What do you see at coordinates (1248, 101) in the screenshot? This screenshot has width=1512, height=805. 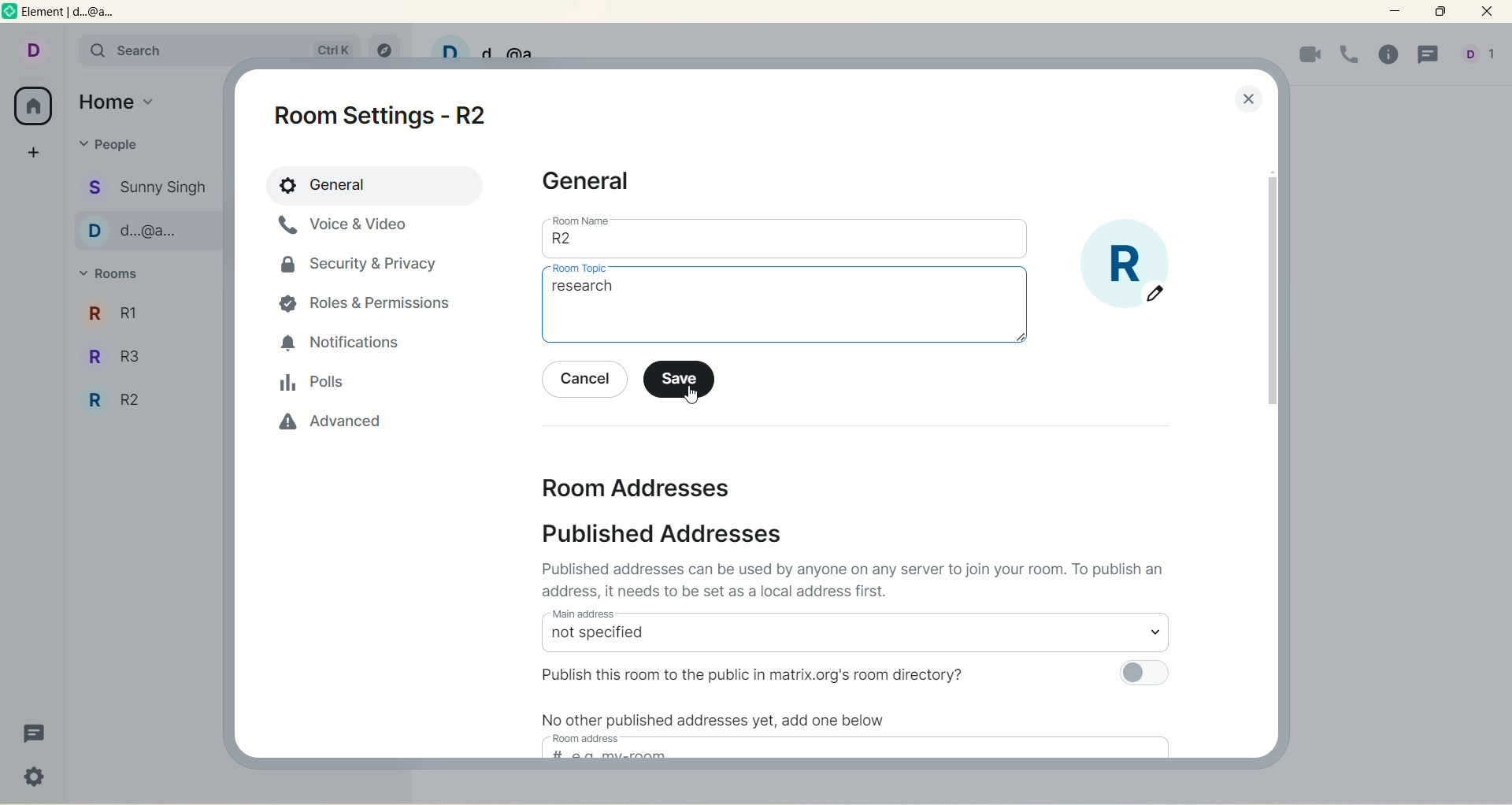 I see `close` at bounding box center [1248, 101].